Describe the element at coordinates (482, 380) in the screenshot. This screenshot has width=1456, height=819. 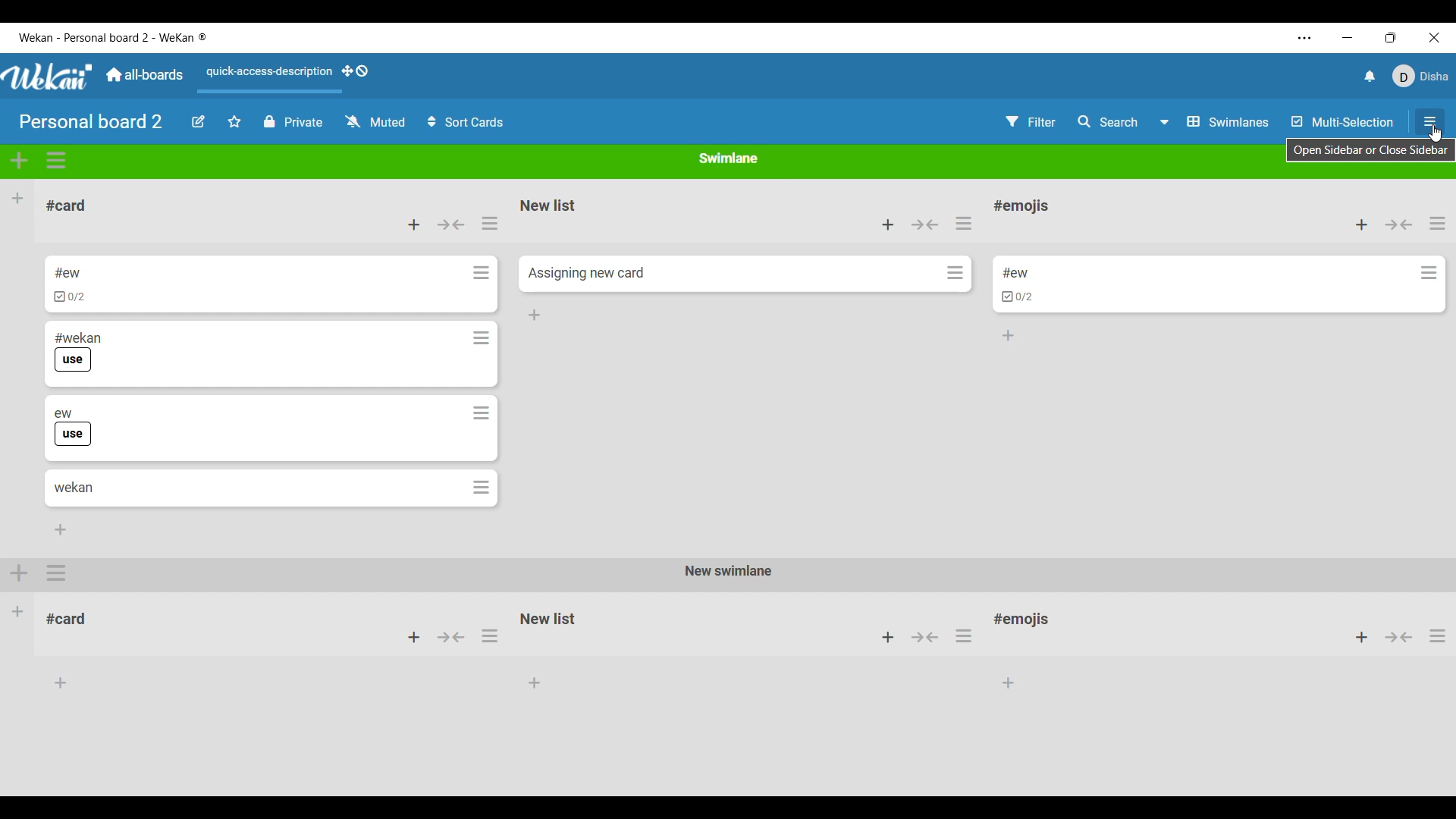
I see `Card actions of each respective card` at that location.